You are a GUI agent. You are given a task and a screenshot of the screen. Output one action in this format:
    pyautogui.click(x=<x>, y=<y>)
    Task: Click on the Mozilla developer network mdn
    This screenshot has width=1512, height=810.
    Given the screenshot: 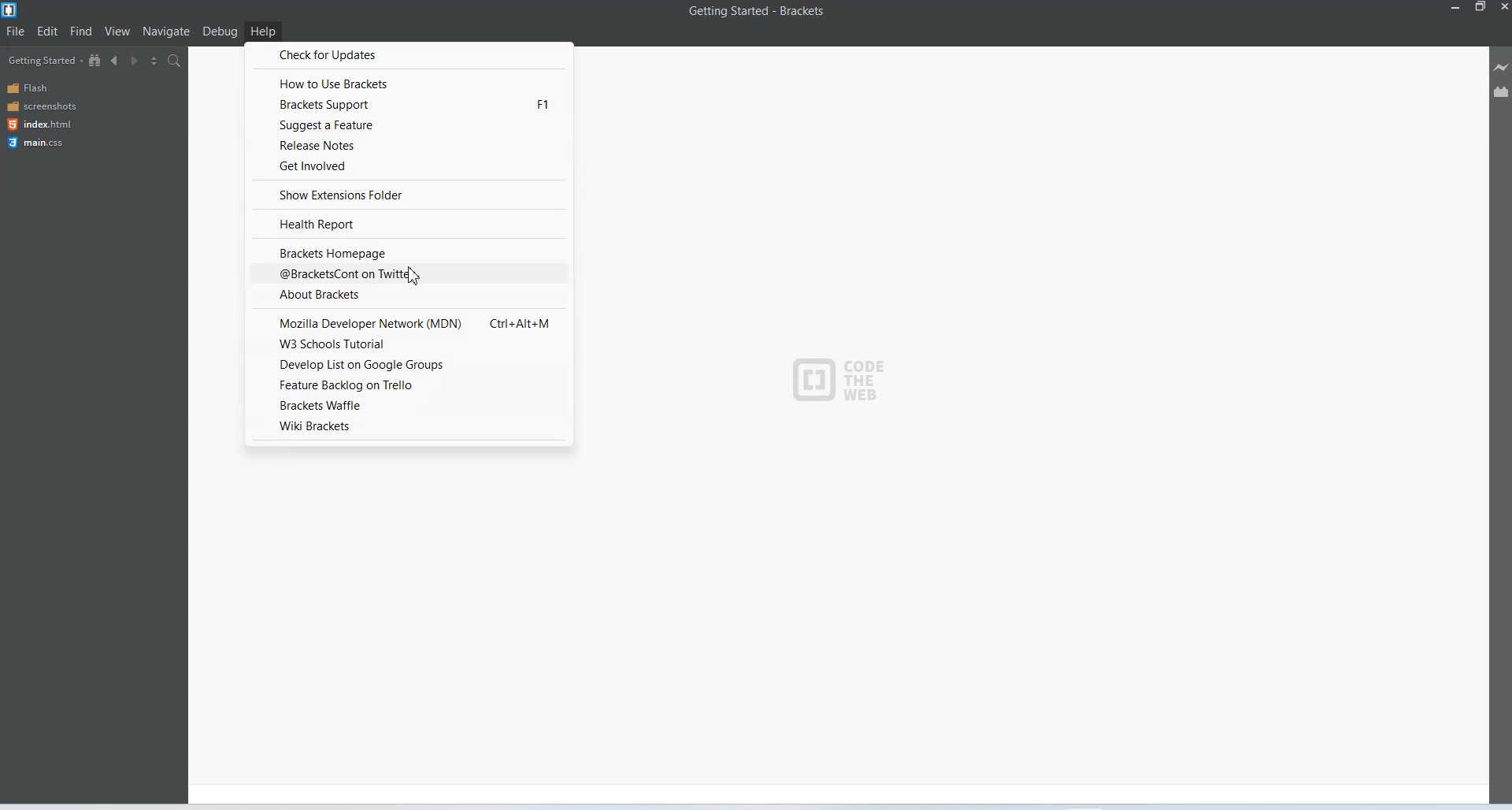 What is the action you would take?
    pyautogui.click(x=409, y=321)
    